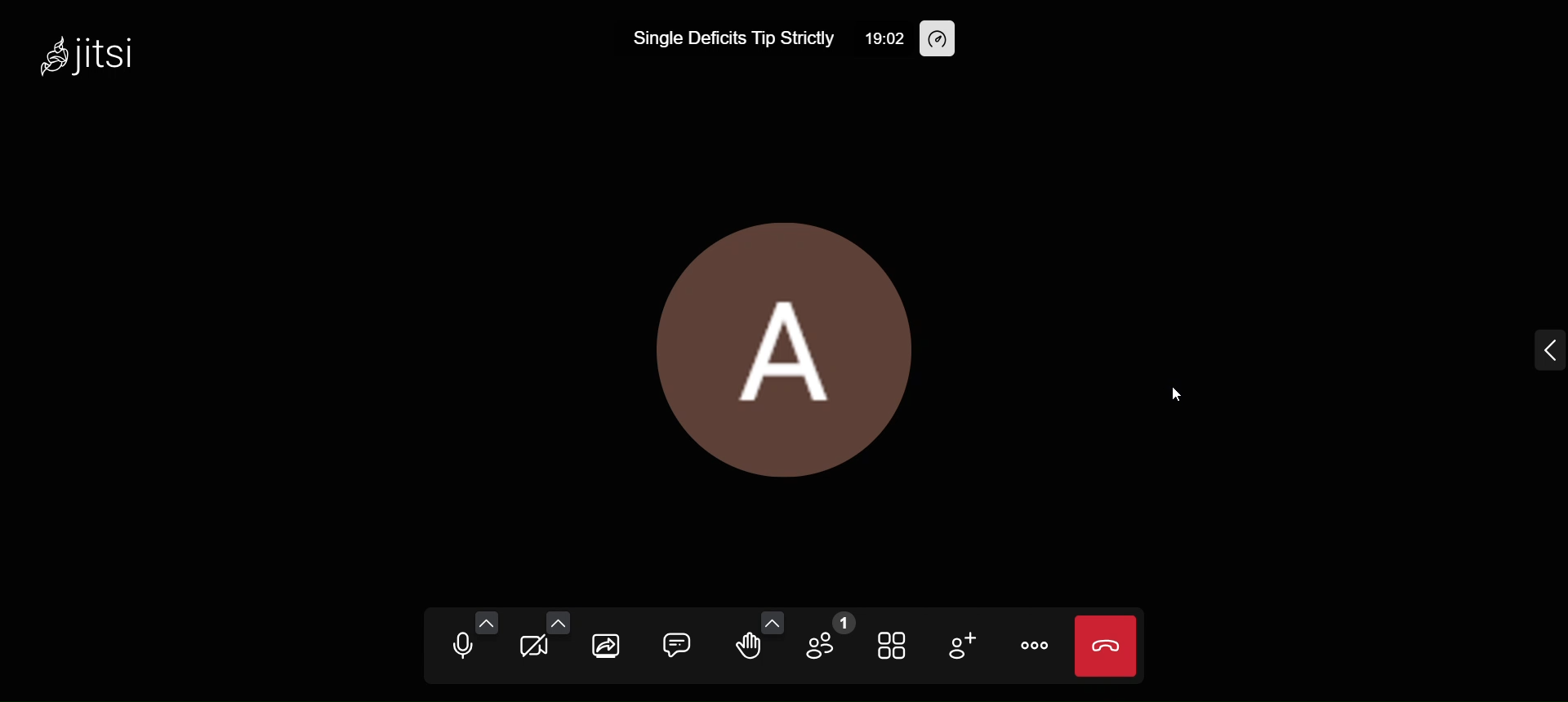 This screenshot has height=702, width=1568. I want to click on display picture, so click(781, 342).